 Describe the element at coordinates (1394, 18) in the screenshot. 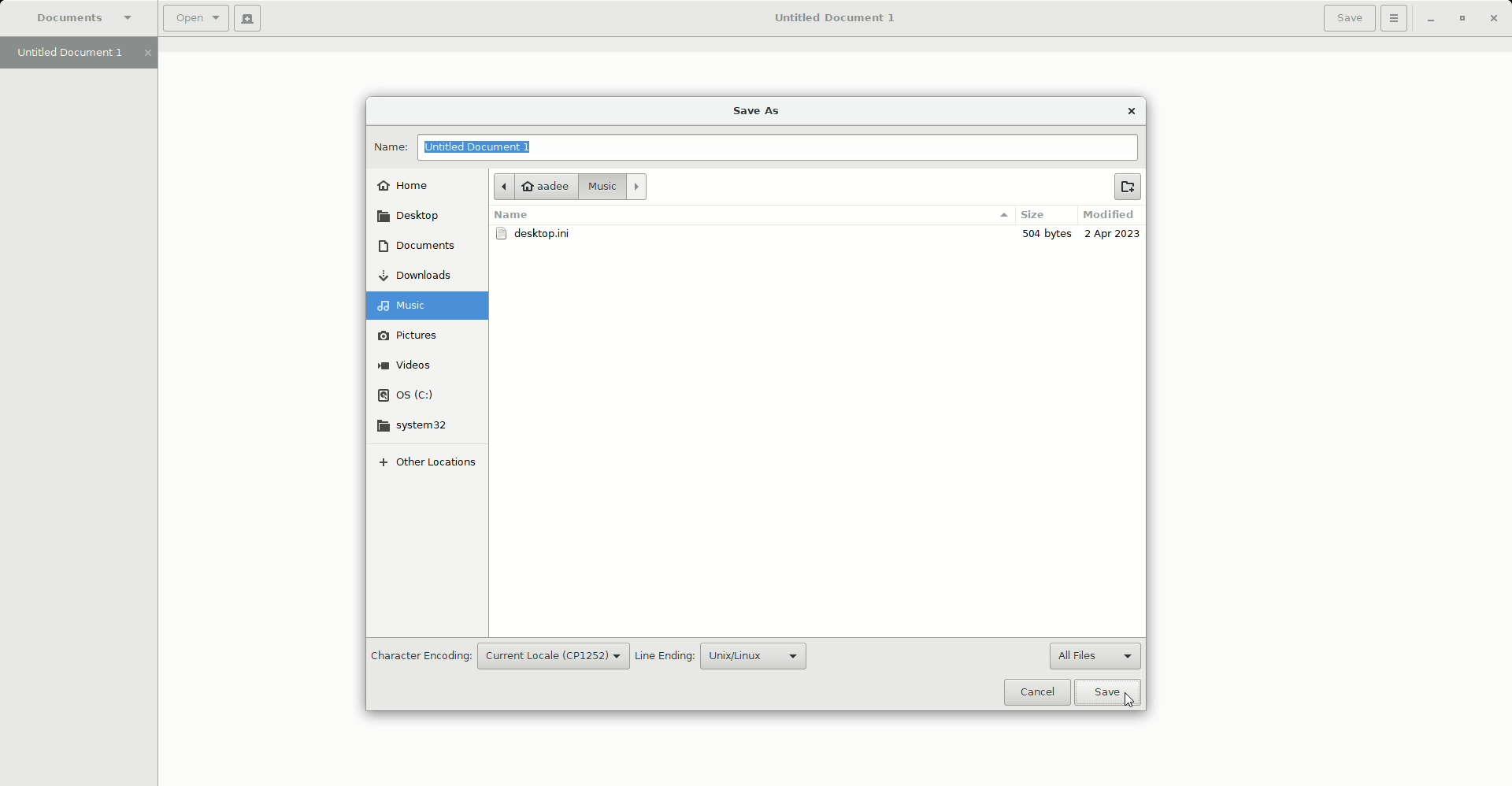

I see `Options` at that location.